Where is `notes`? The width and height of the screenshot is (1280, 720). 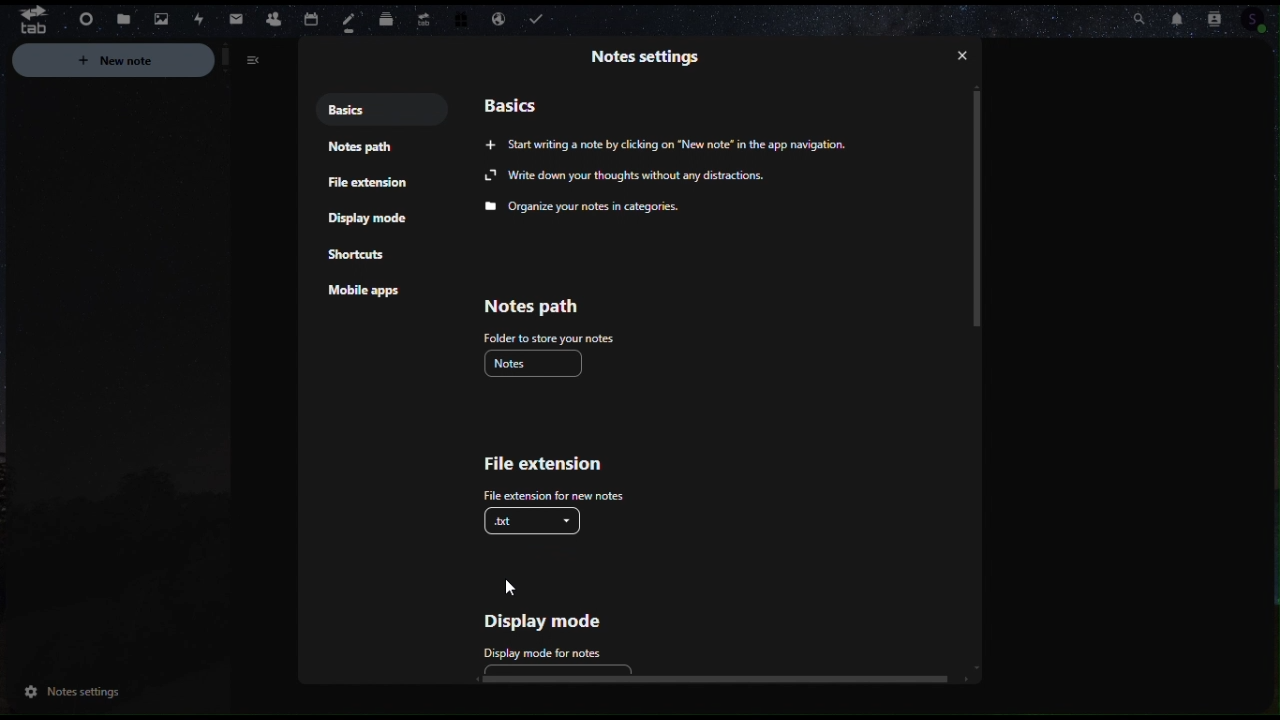 notes is located at coordinates (351, 22).